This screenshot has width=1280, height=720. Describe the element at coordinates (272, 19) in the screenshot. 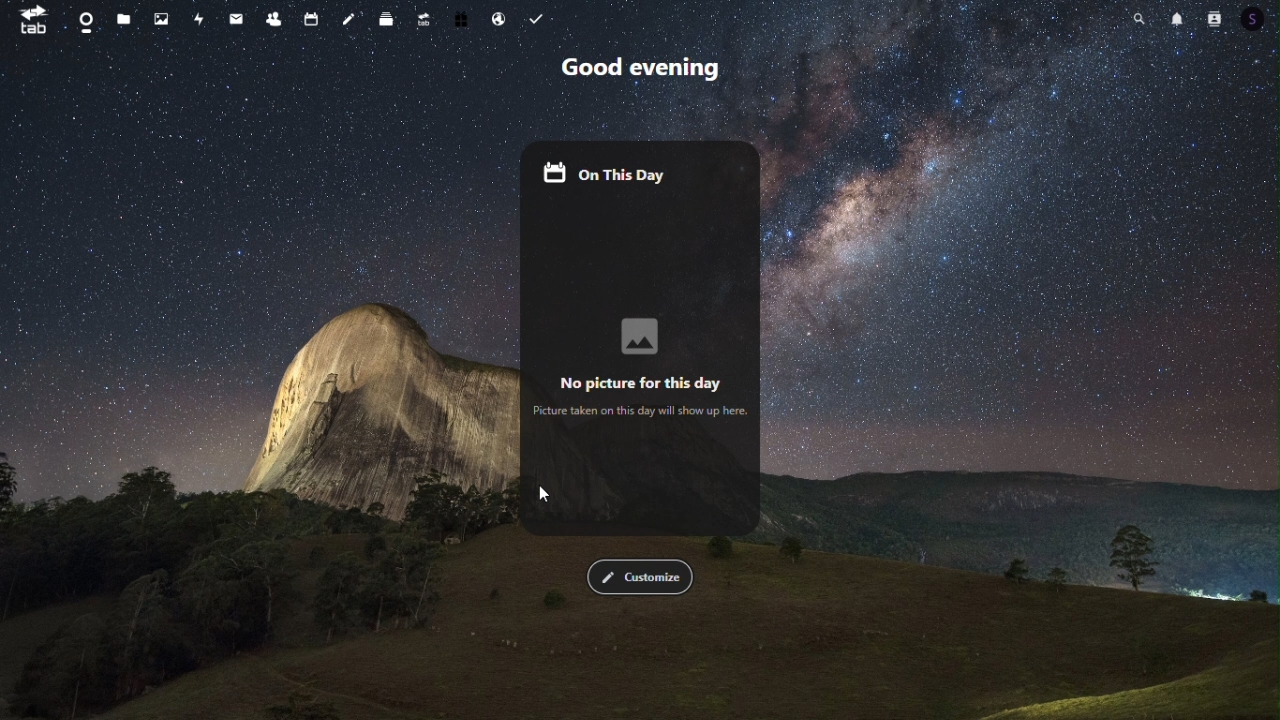

I see `Contacts` at that location.